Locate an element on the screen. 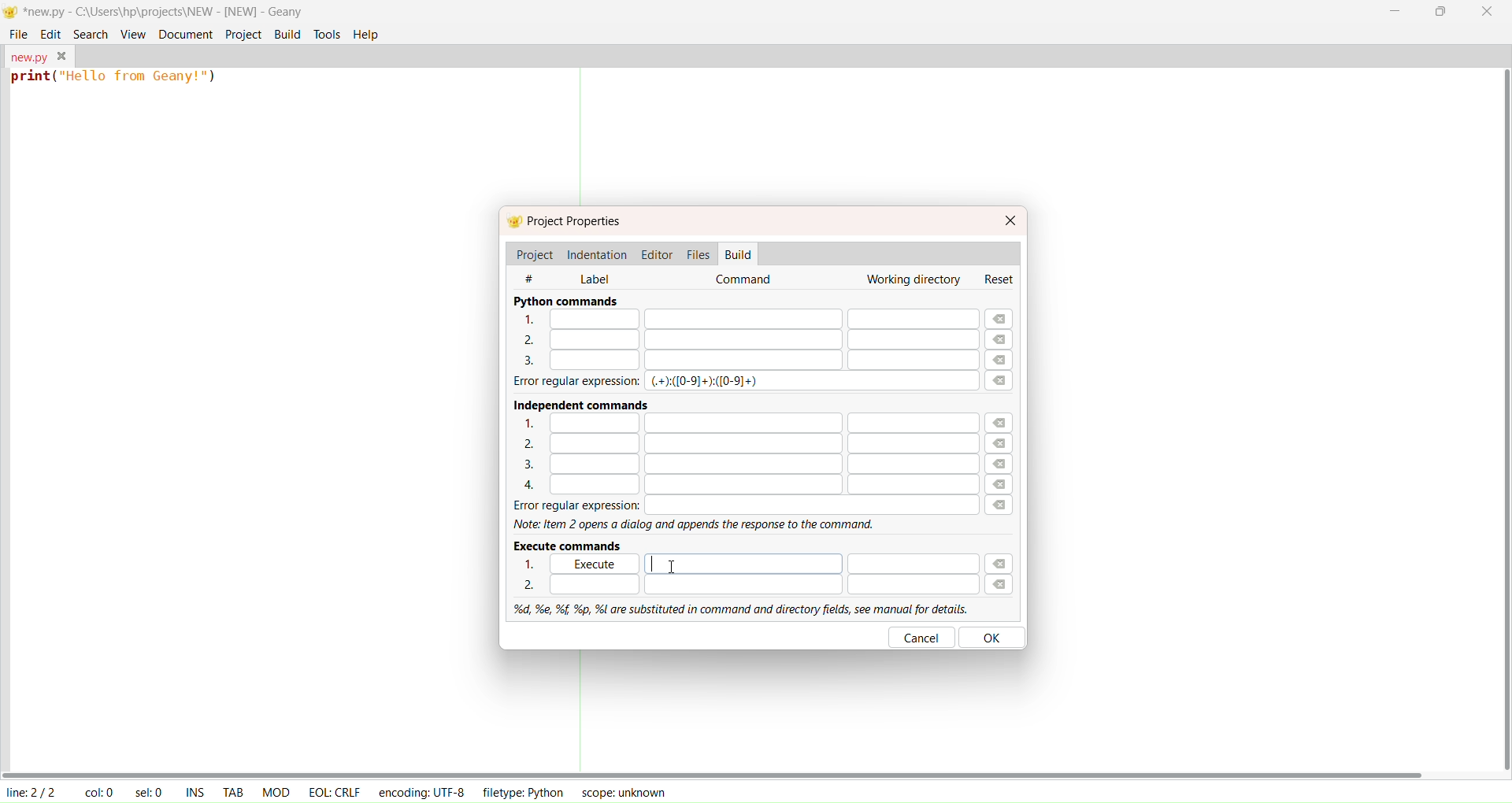 This screenshot has width=1512, height=803. execute is located at coordinates (769, 564).